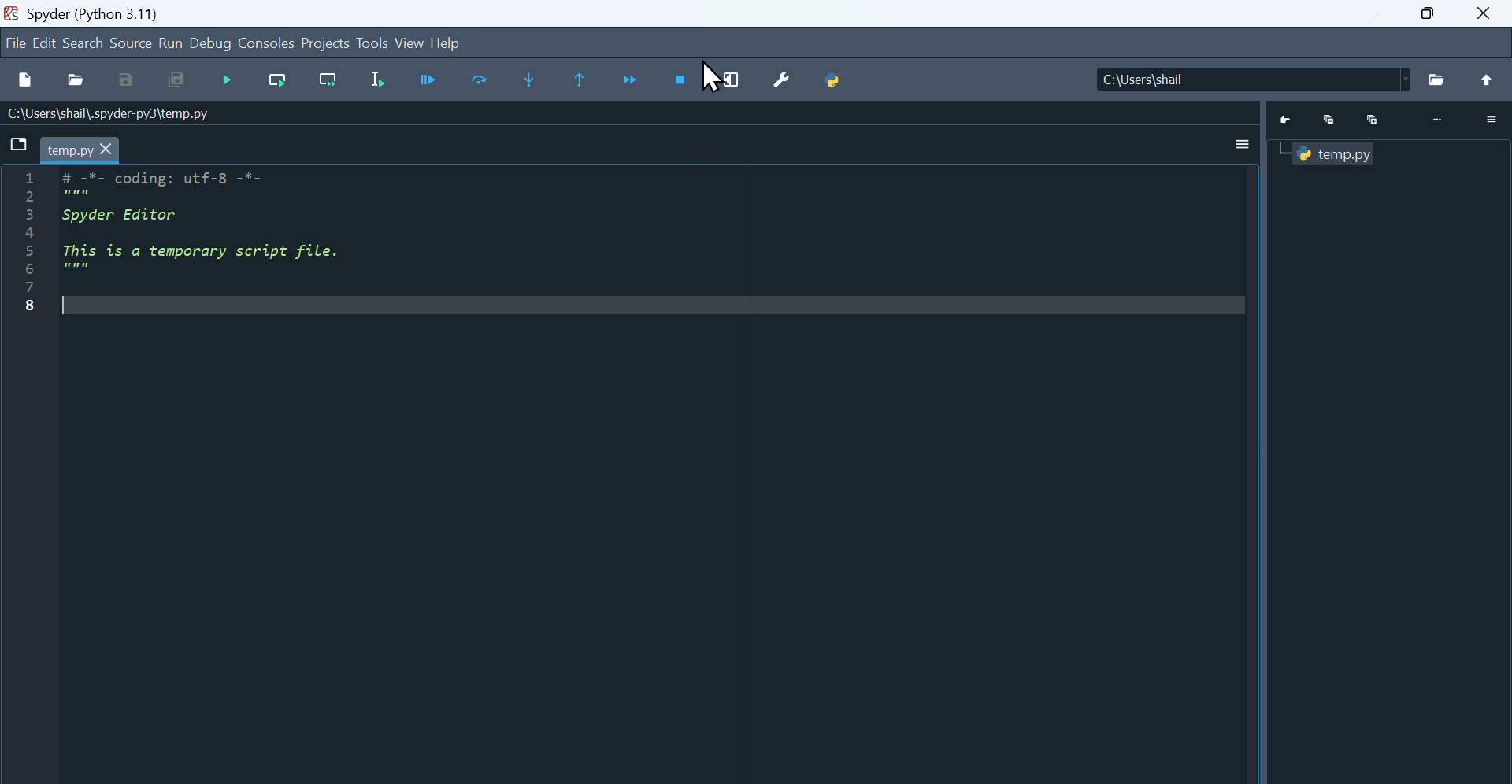 This screenshot has width=1512, height=784. Describe the element at coordinates (409, 43) in the screenshot. I see `view` at that location.